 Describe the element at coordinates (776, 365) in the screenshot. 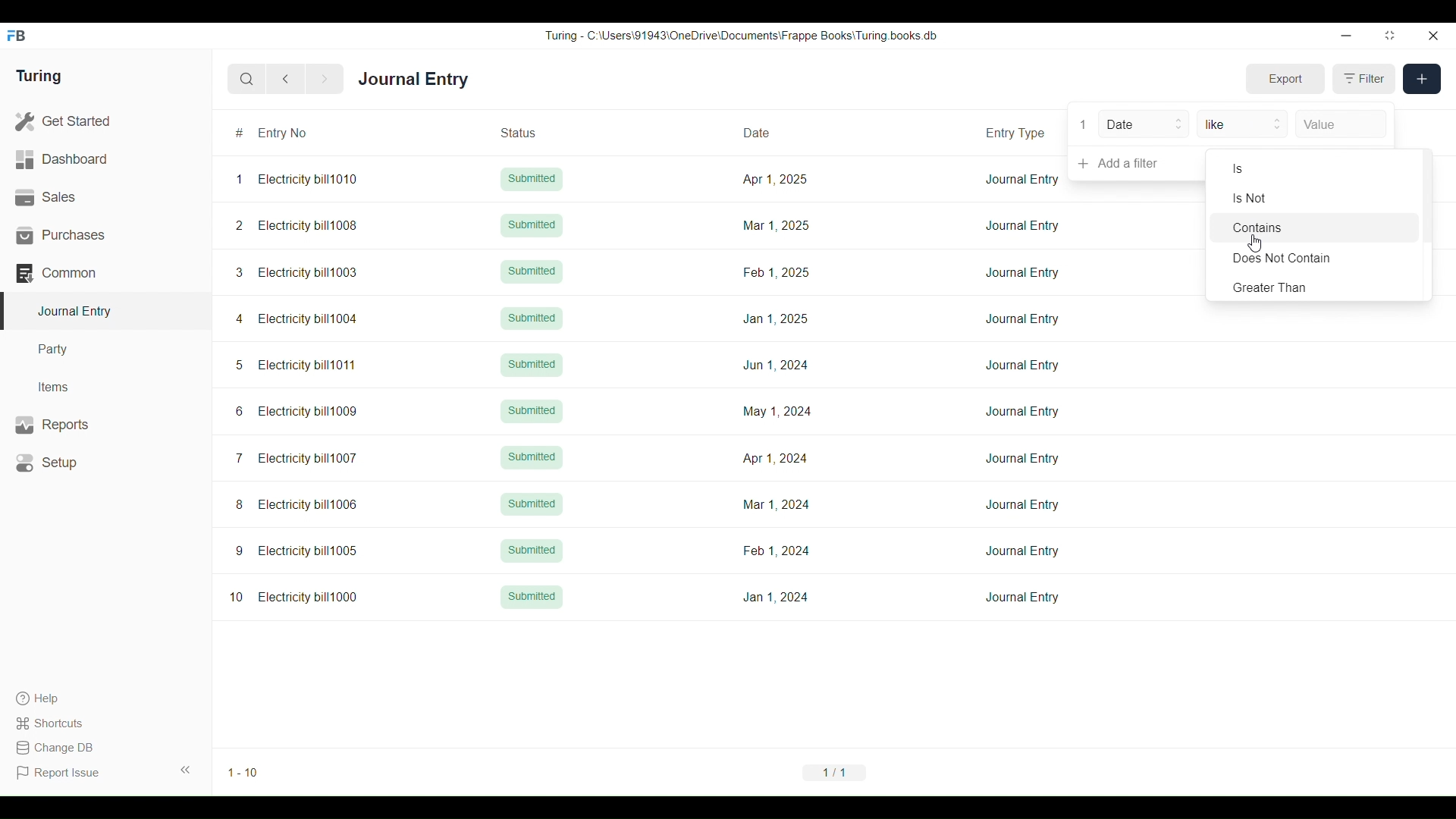

I see `Jun 1, 2024` at that location.